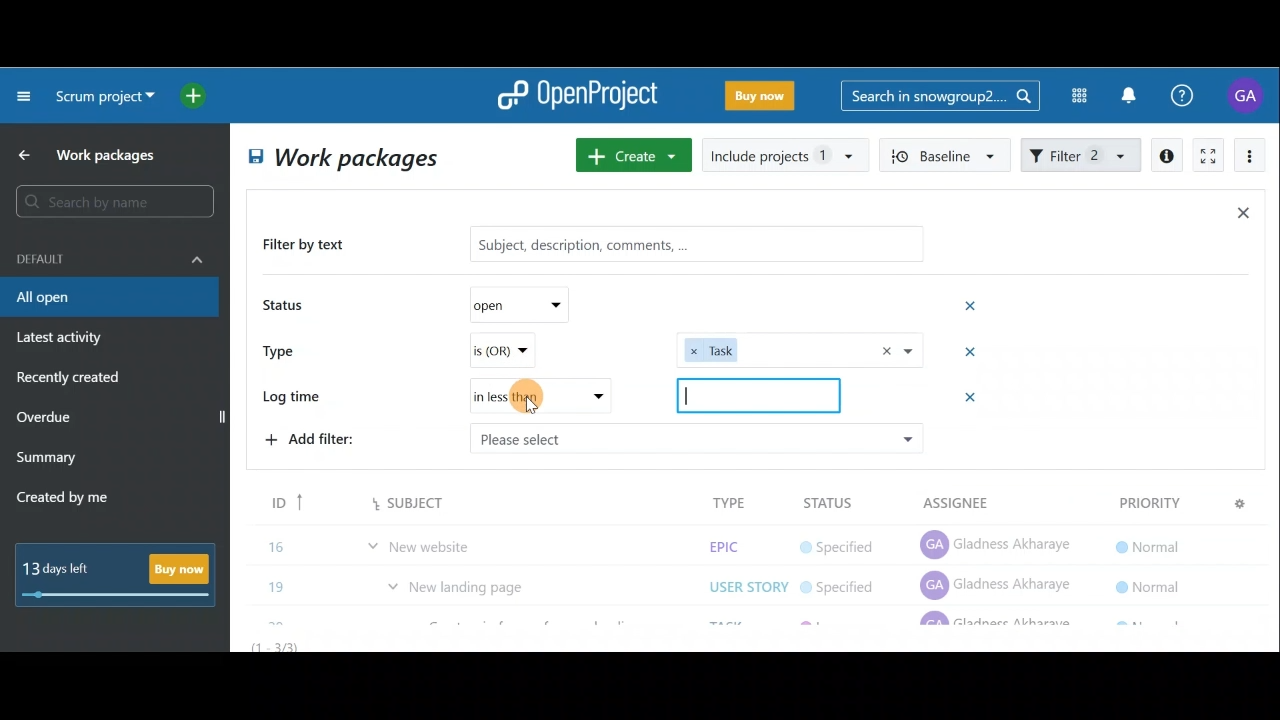  I want to click on Collapse project menu, so click(25, 95).